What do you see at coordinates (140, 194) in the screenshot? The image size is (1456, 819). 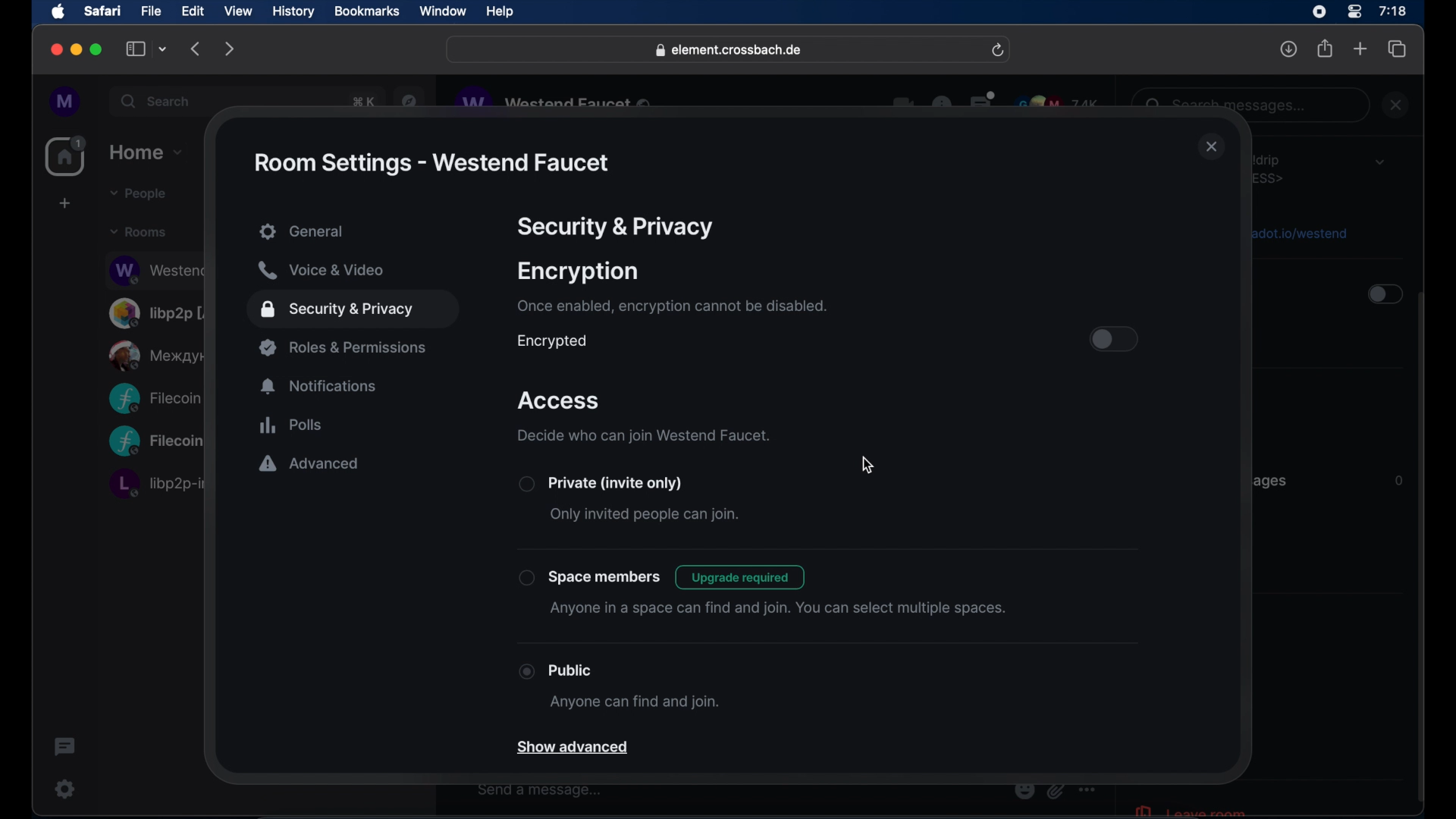 I see `` at bounding box center [140, 194].